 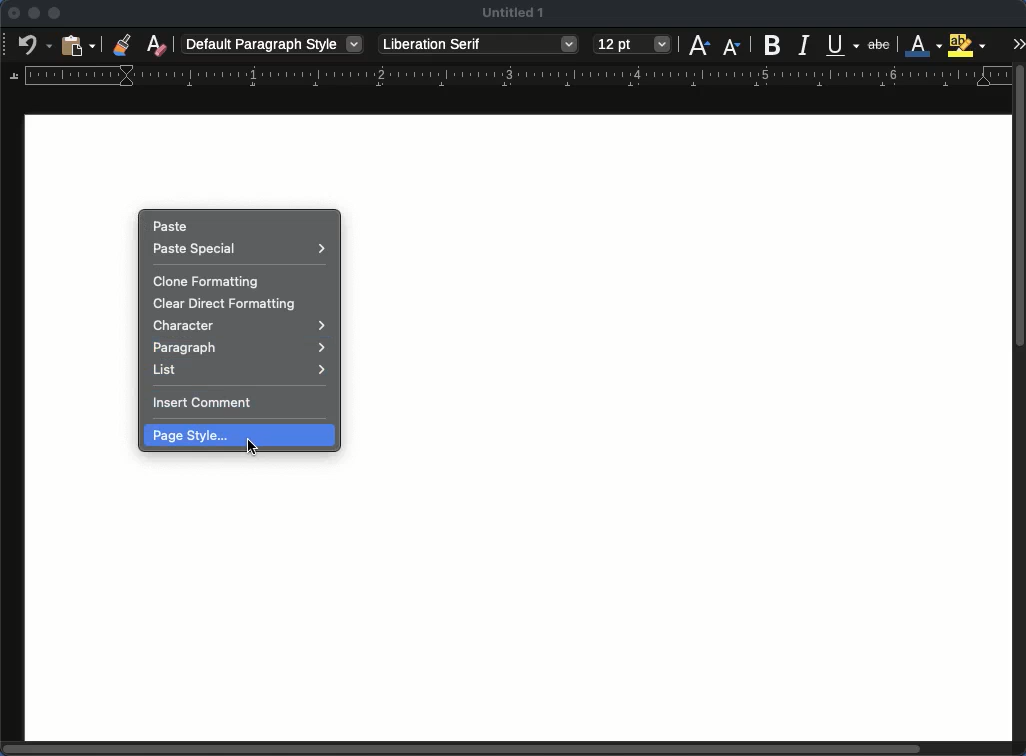 I want to click on Default paragraph style, so click(x=272, y=44).